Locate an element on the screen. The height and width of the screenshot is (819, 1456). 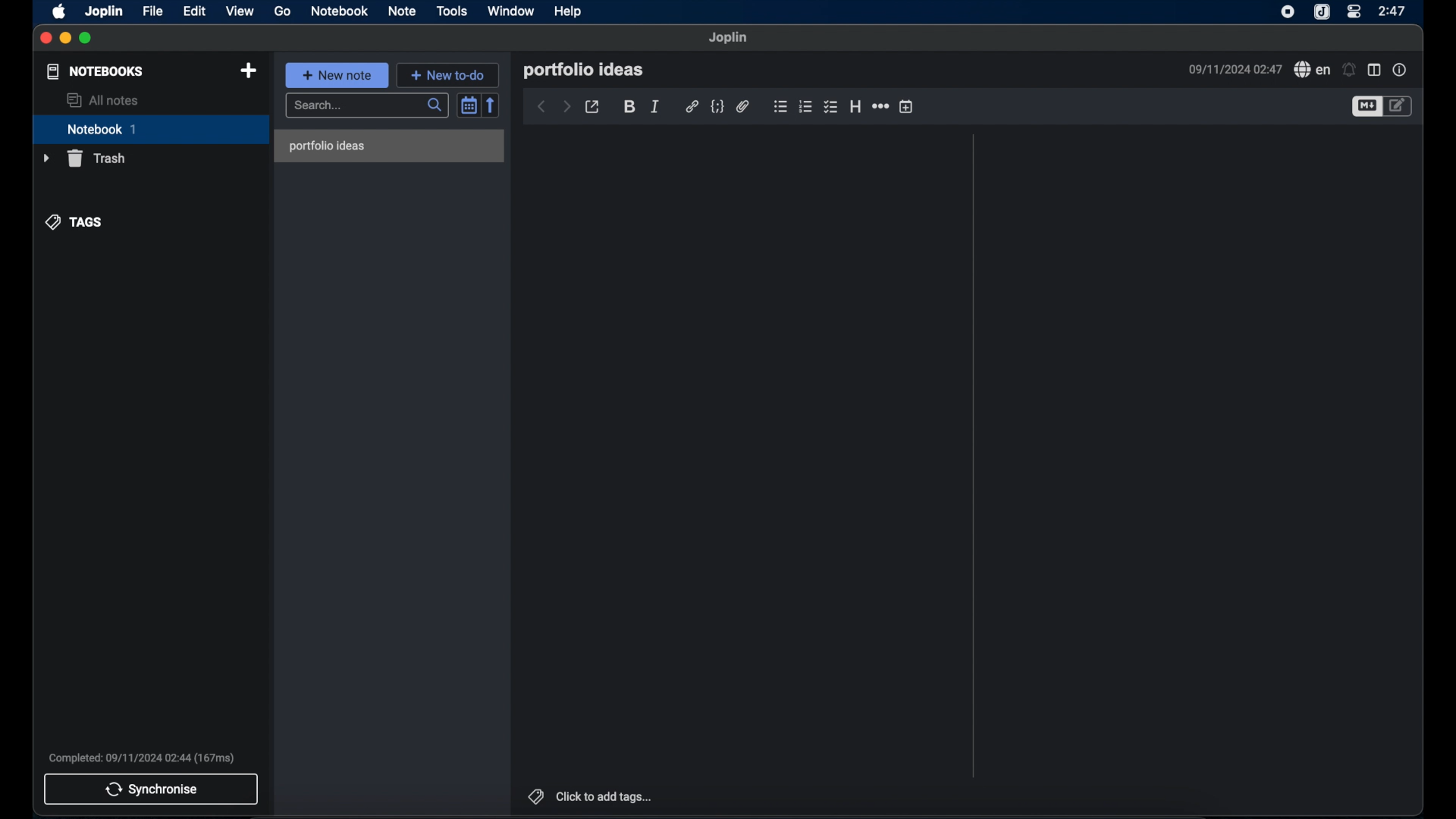
toggle editor is located at coordinates (1401, 105).